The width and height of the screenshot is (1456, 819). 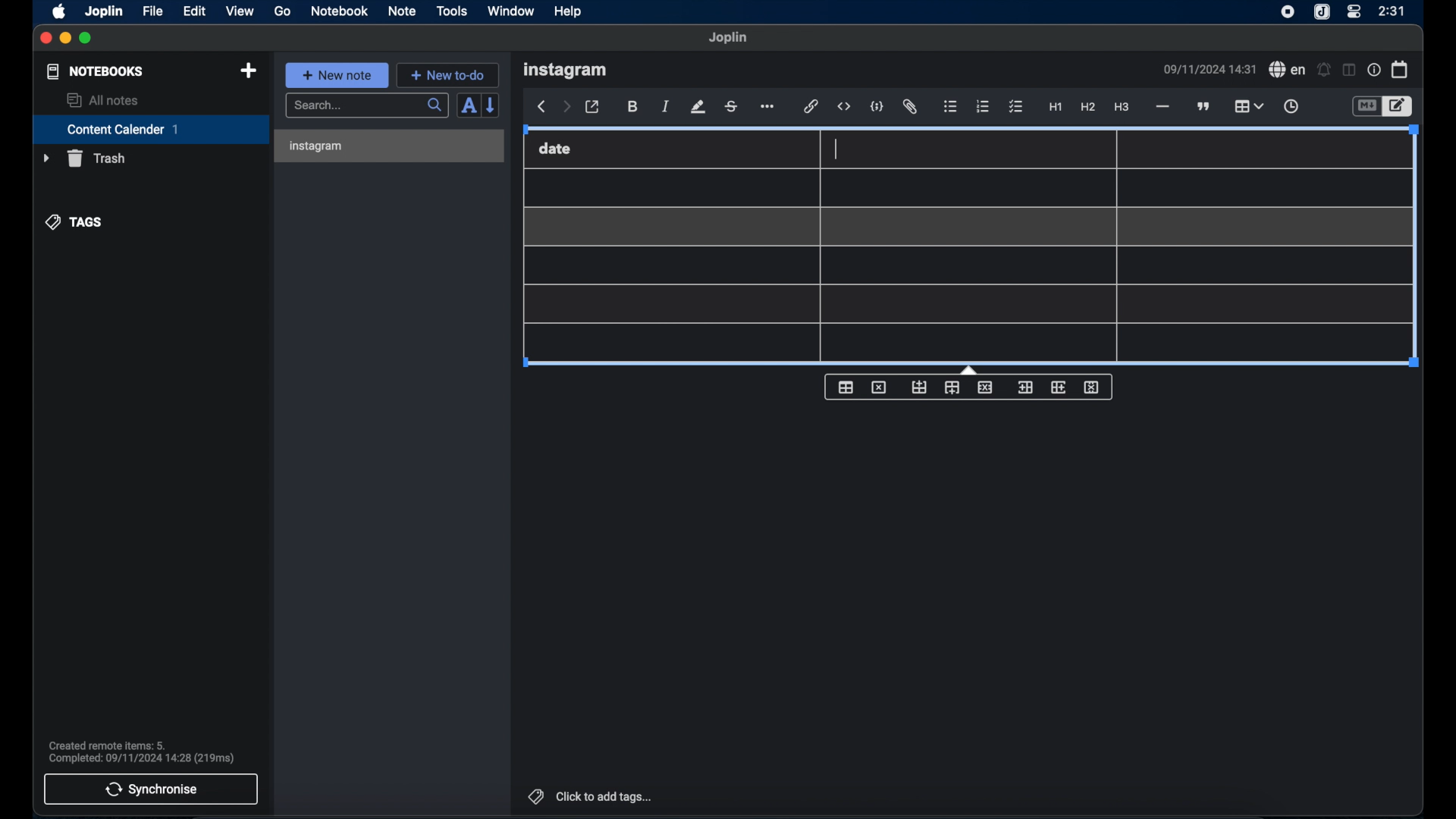 What do you see at coordinates (1392, 11) in the screenshot?
I see `time` at bounding box center [1392, 11].